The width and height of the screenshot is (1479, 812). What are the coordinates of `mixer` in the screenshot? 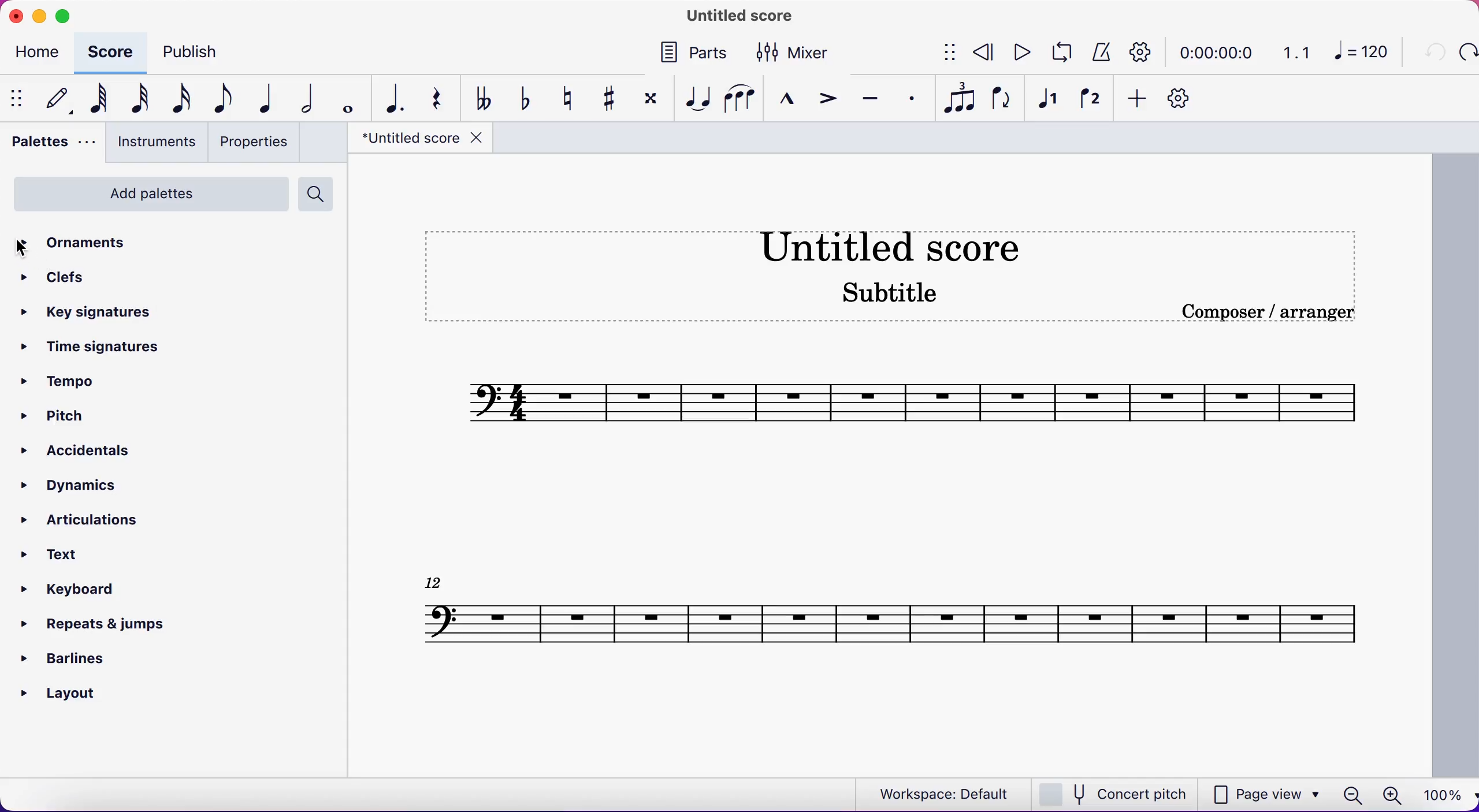 It's located at (801, 52).